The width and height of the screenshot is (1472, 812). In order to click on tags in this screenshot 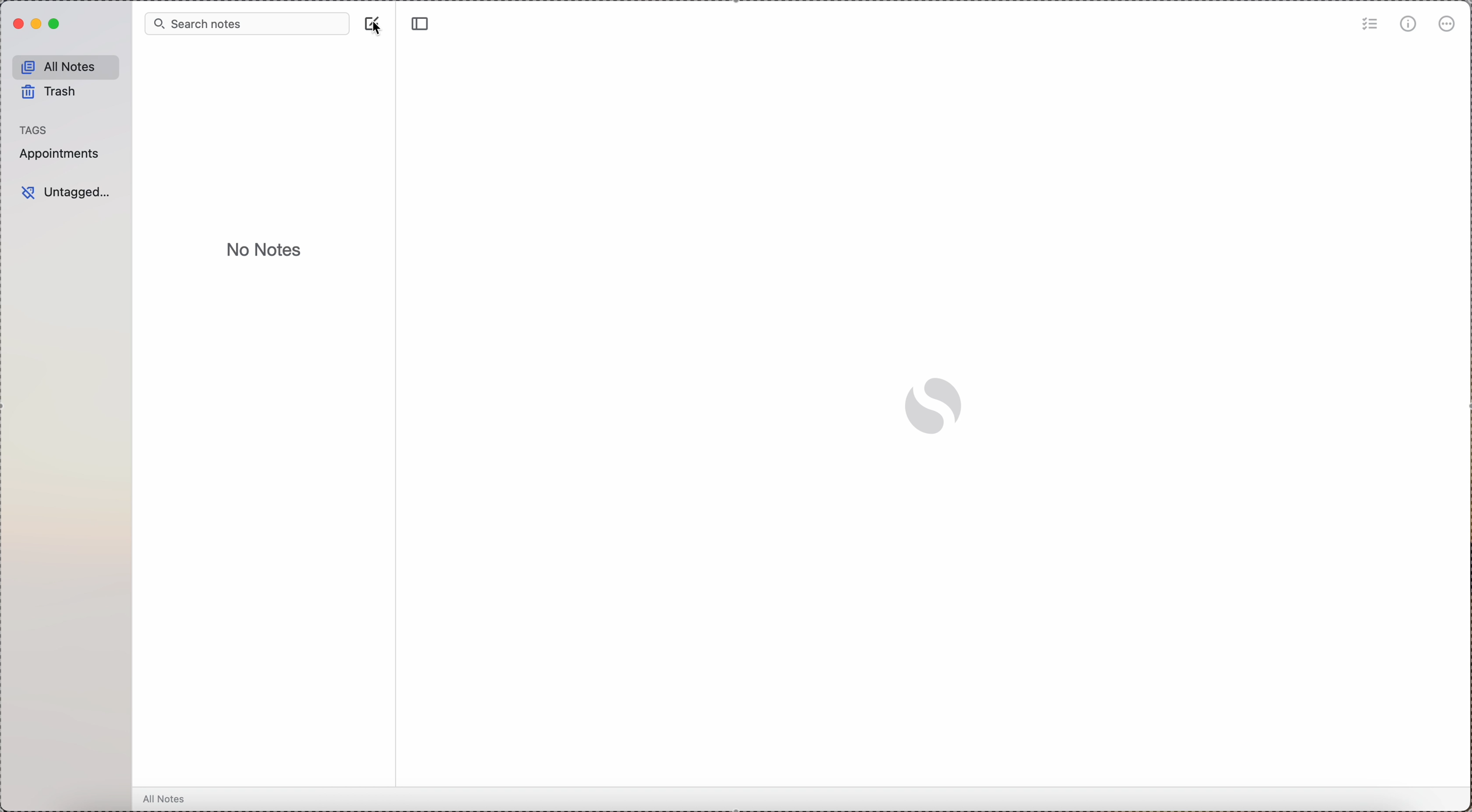, I will do `click(38, 129)`.